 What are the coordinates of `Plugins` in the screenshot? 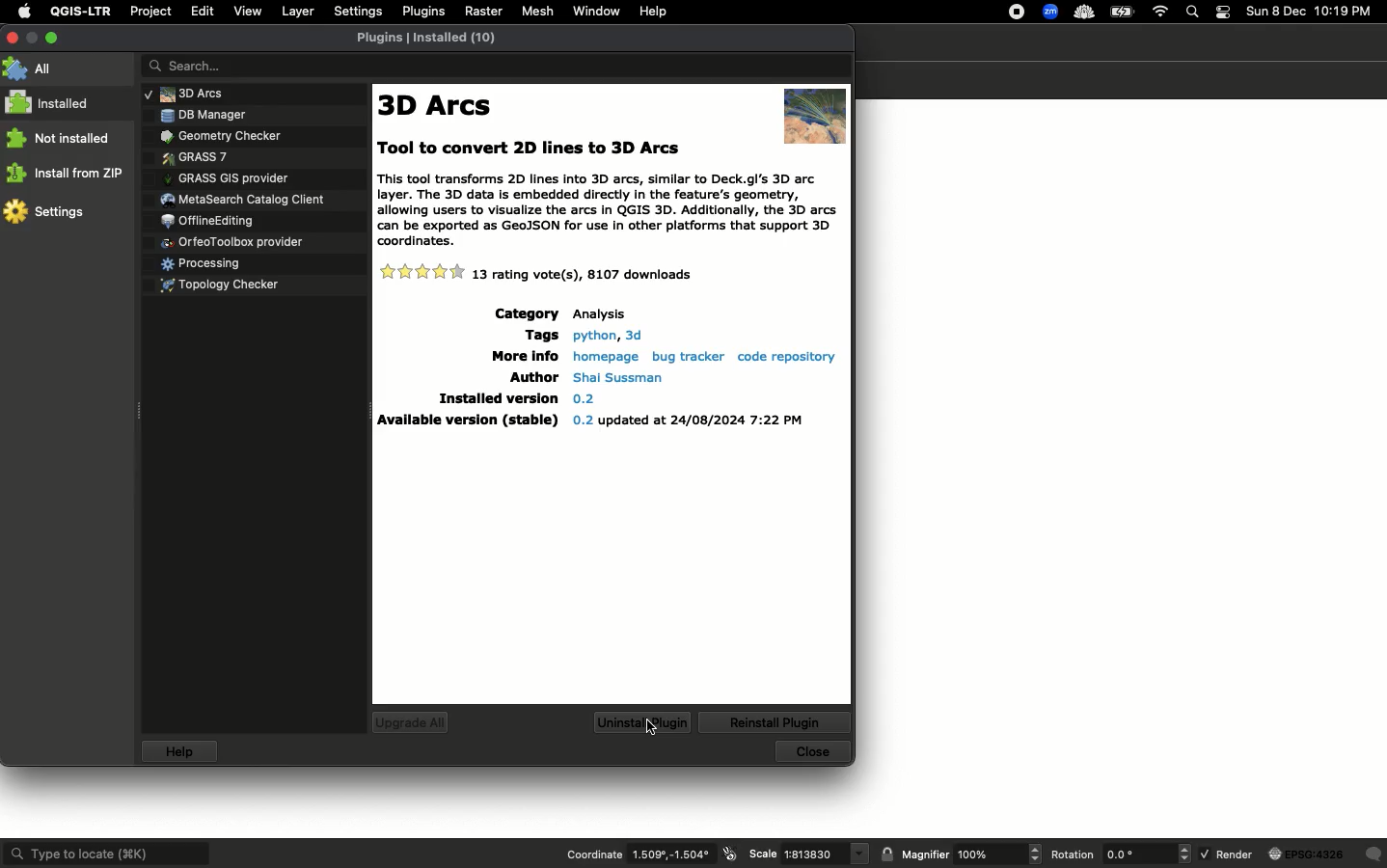 It's located at (232, 241).